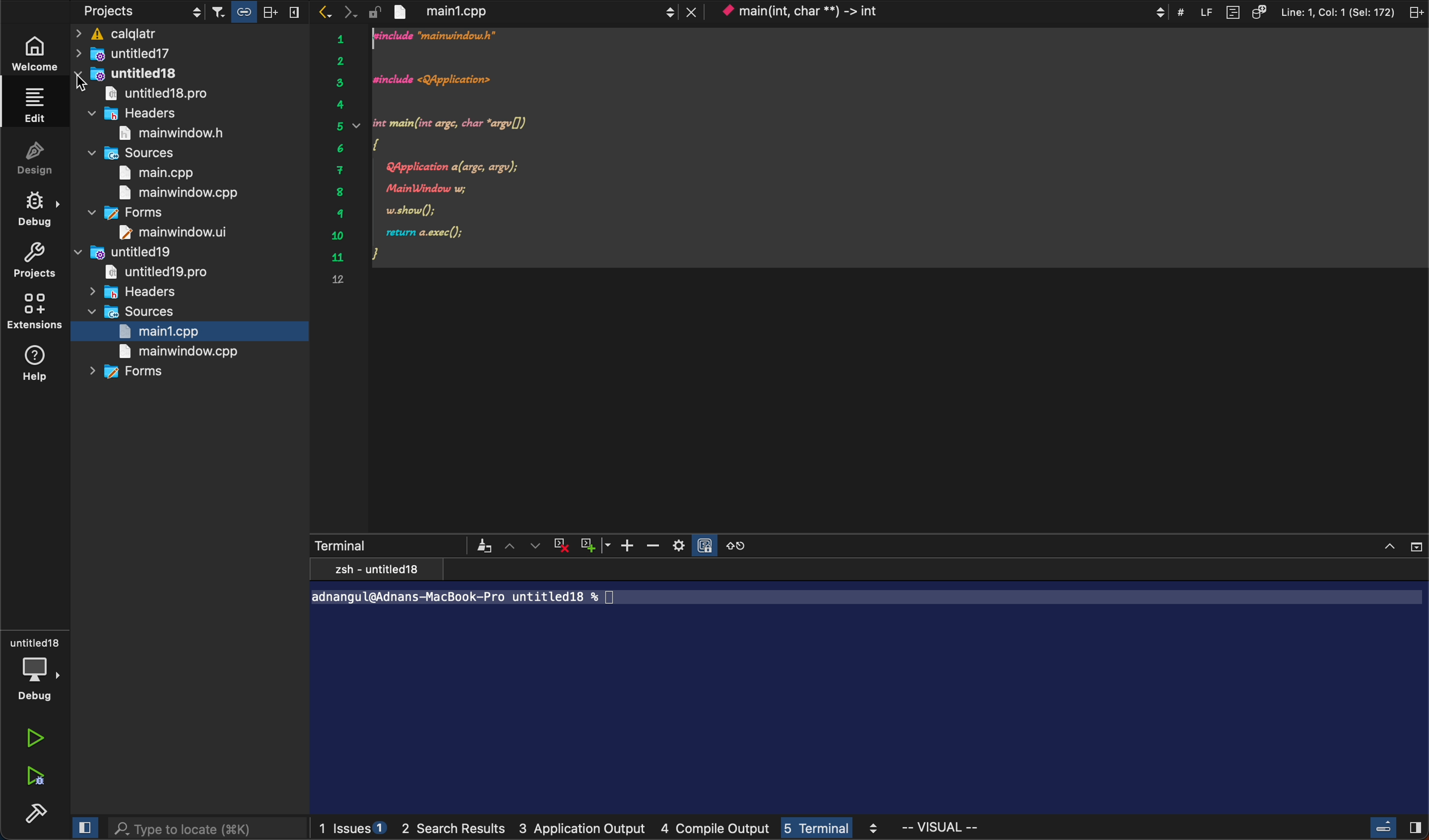 The image size is (1429, 840). What do you see at coordinates (130, 372) in the screenshot?
I see `forms` at bounding box center [130, 372].